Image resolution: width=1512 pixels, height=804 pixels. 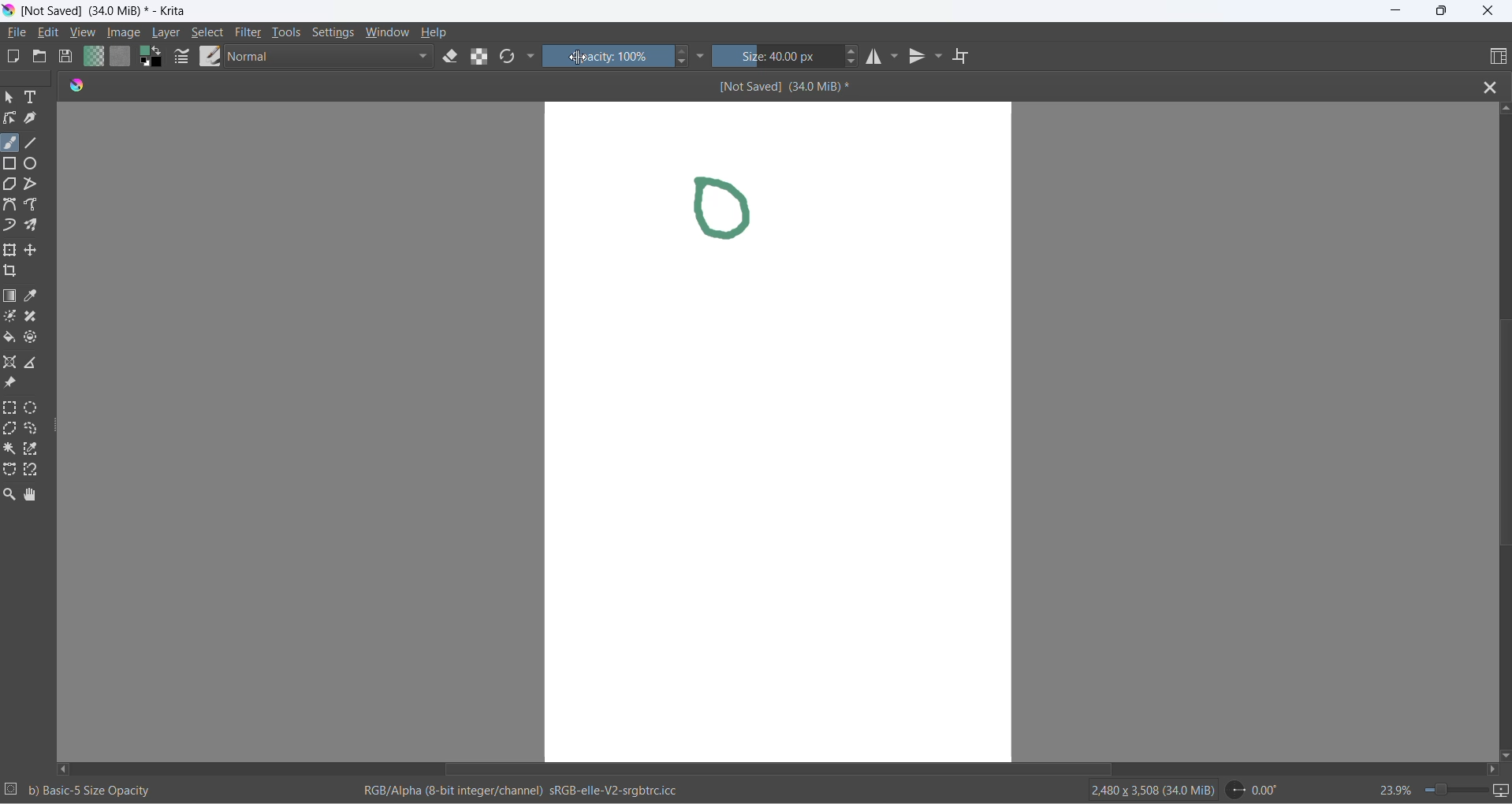 What do you see at coordinates (576, 58) in the screenshot?
I see `cursor` at bounding box center [576, 58].